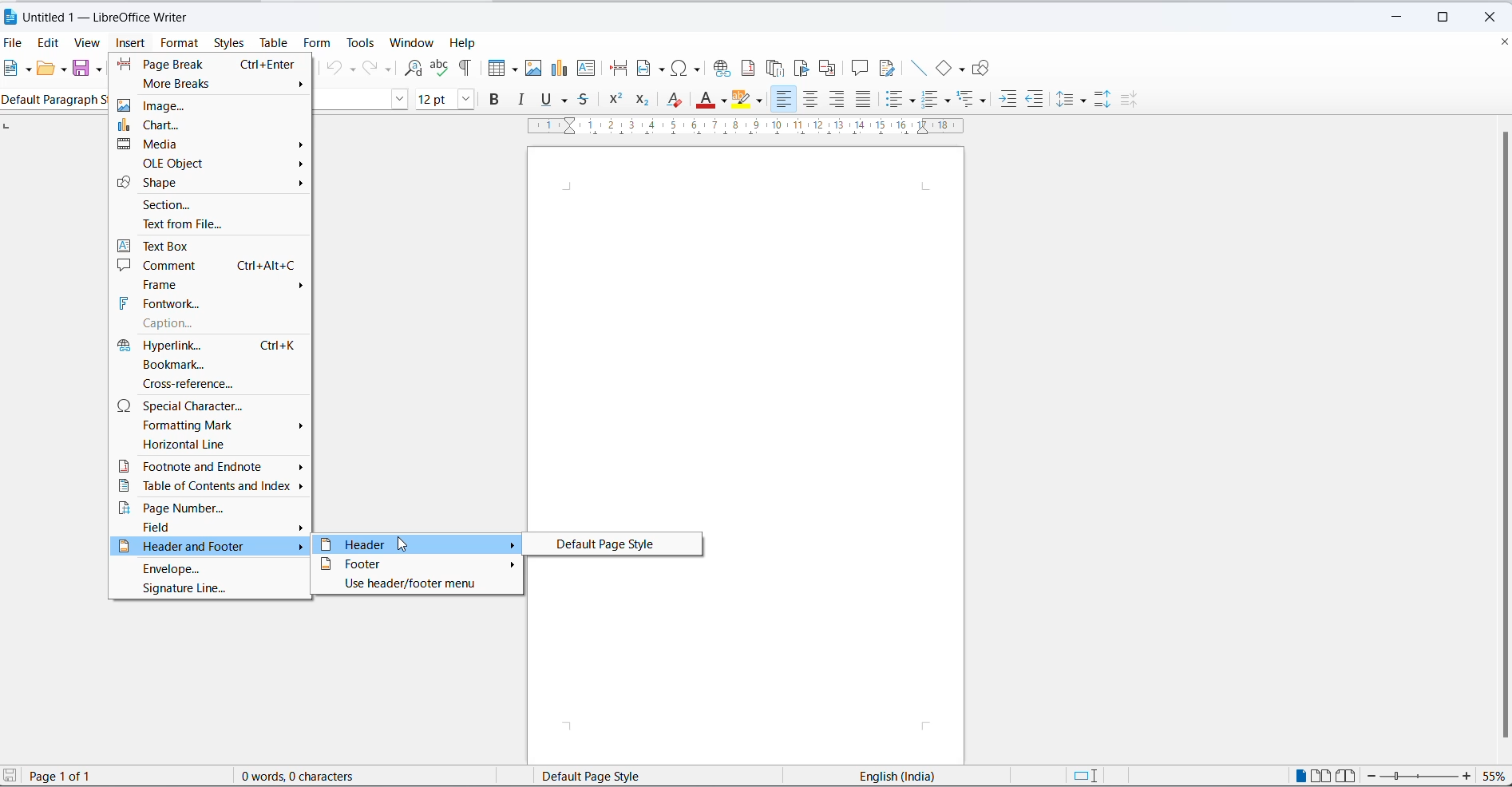 The width and height of the screenshot is (1512, 787). I want to click on font name option, so click(398, 100).